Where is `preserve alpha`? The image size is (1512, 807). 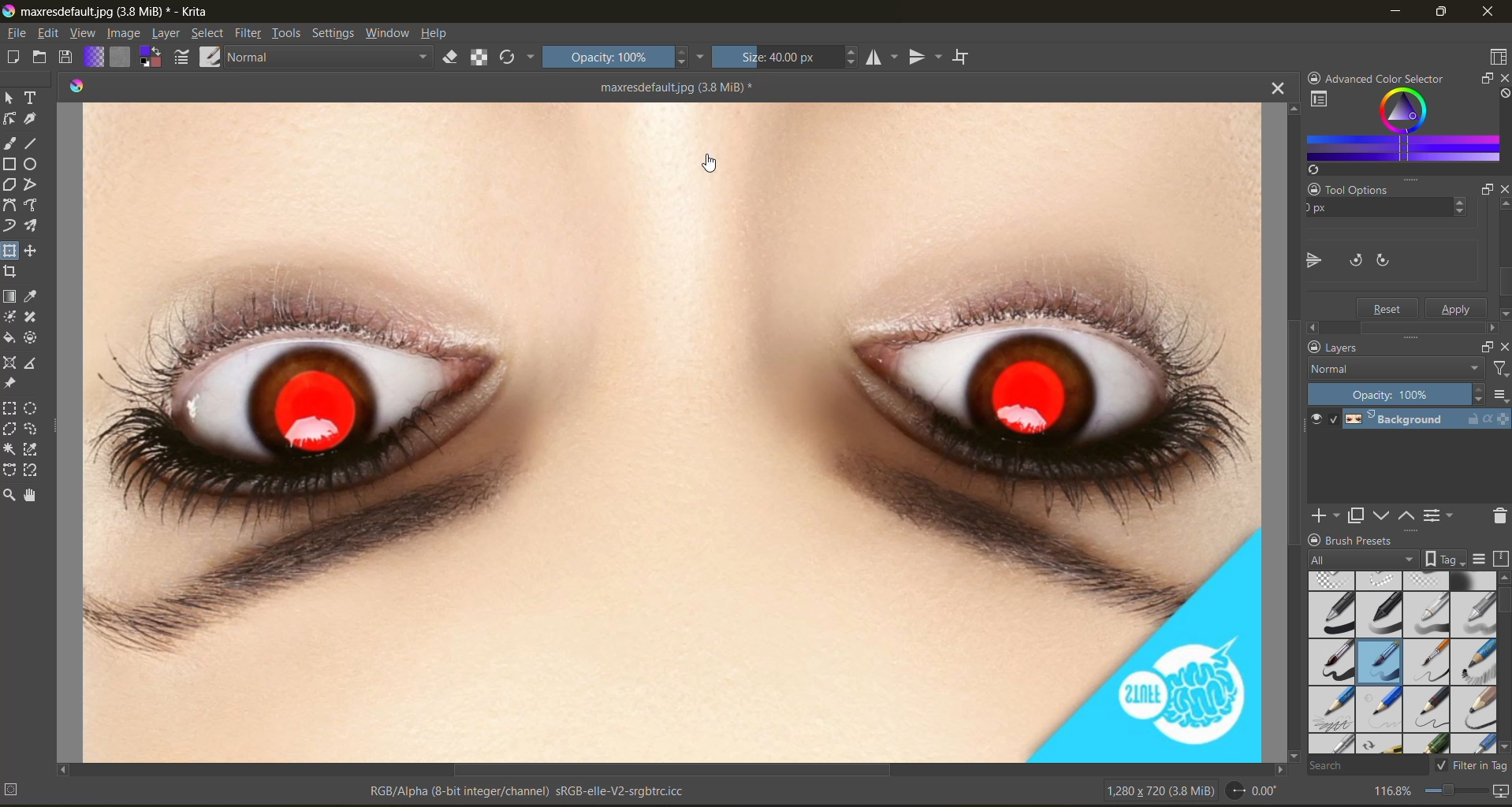
preserve alpha is located at coordinates (480, 58).